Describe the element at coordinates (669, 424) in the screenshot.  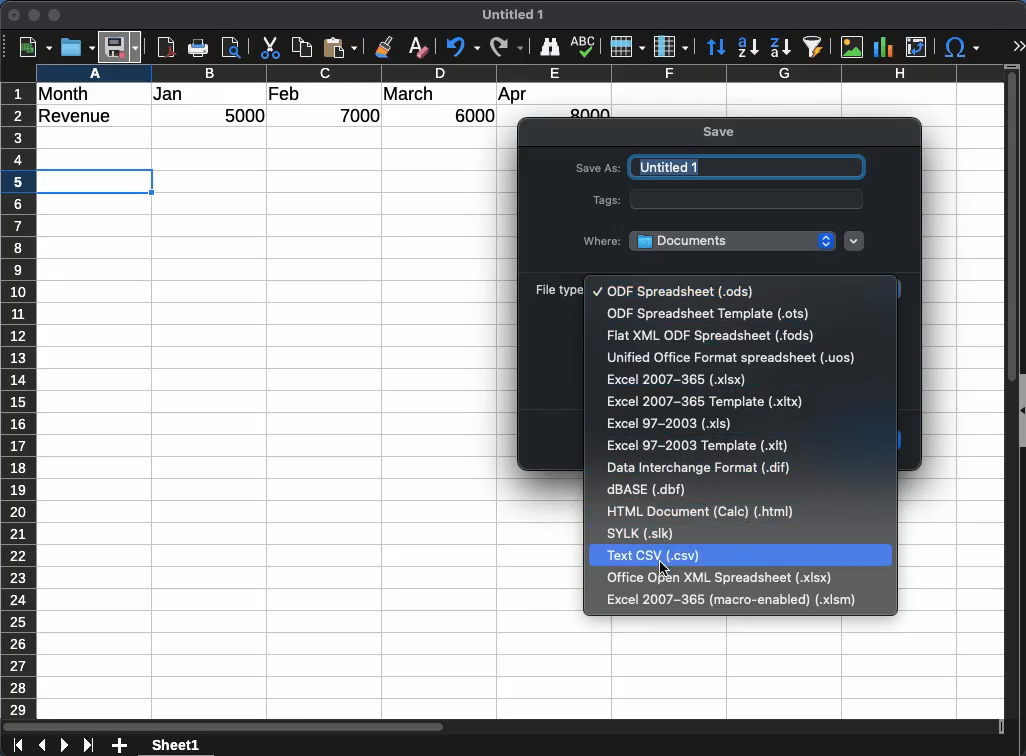
I see `Excel 97-2003` at that location.